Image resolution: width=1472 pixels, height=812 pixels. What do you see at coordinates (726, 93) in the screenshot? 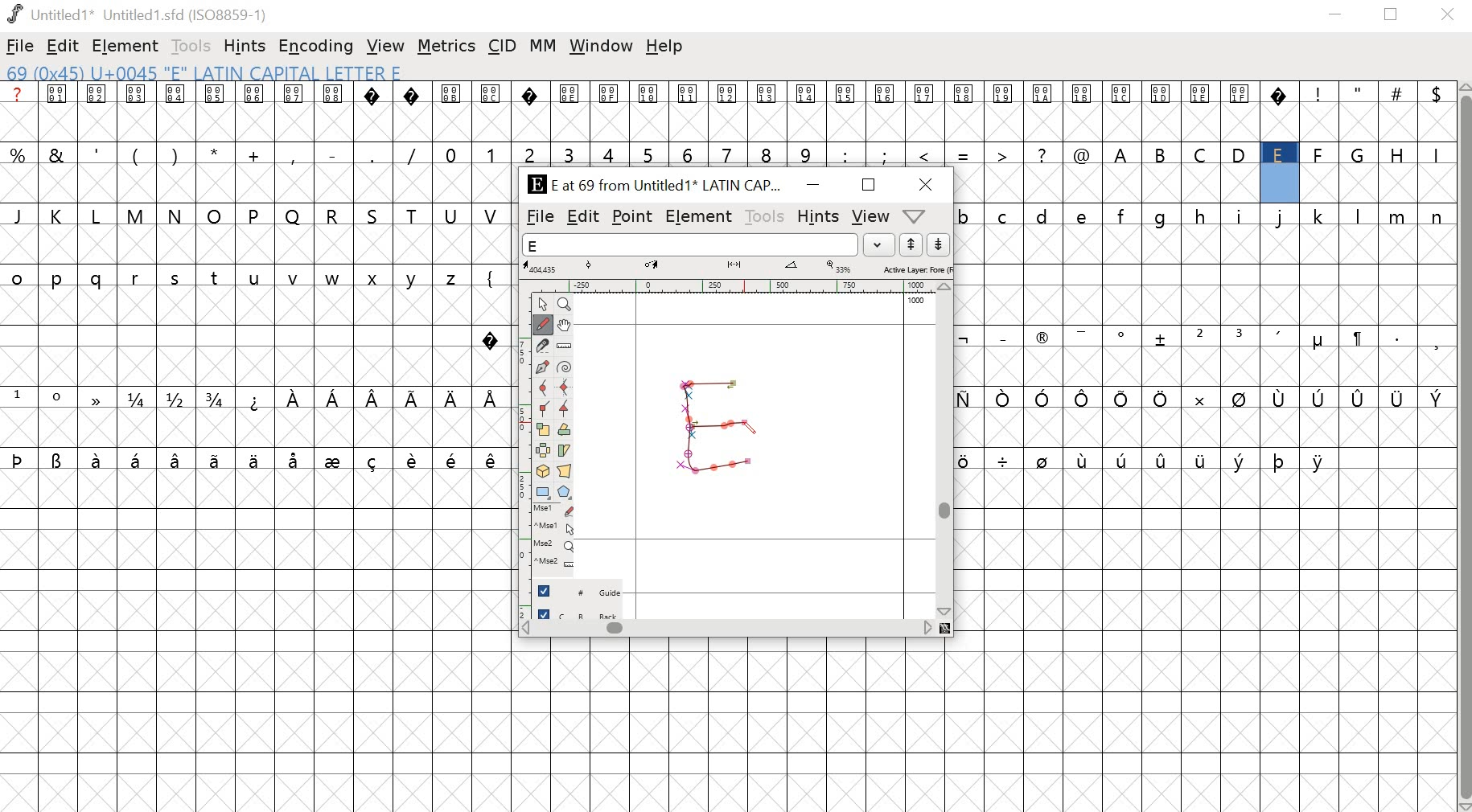
I see `special characters and symbols` at bounding box center [726, 93].